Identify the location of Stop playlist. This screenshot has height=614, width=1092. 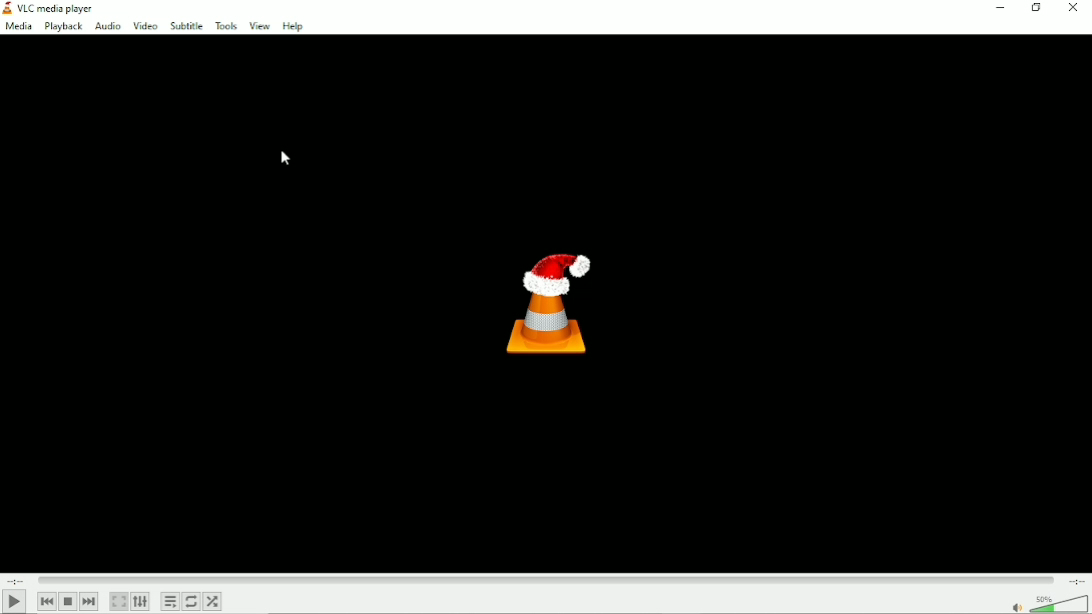
(68, 602).